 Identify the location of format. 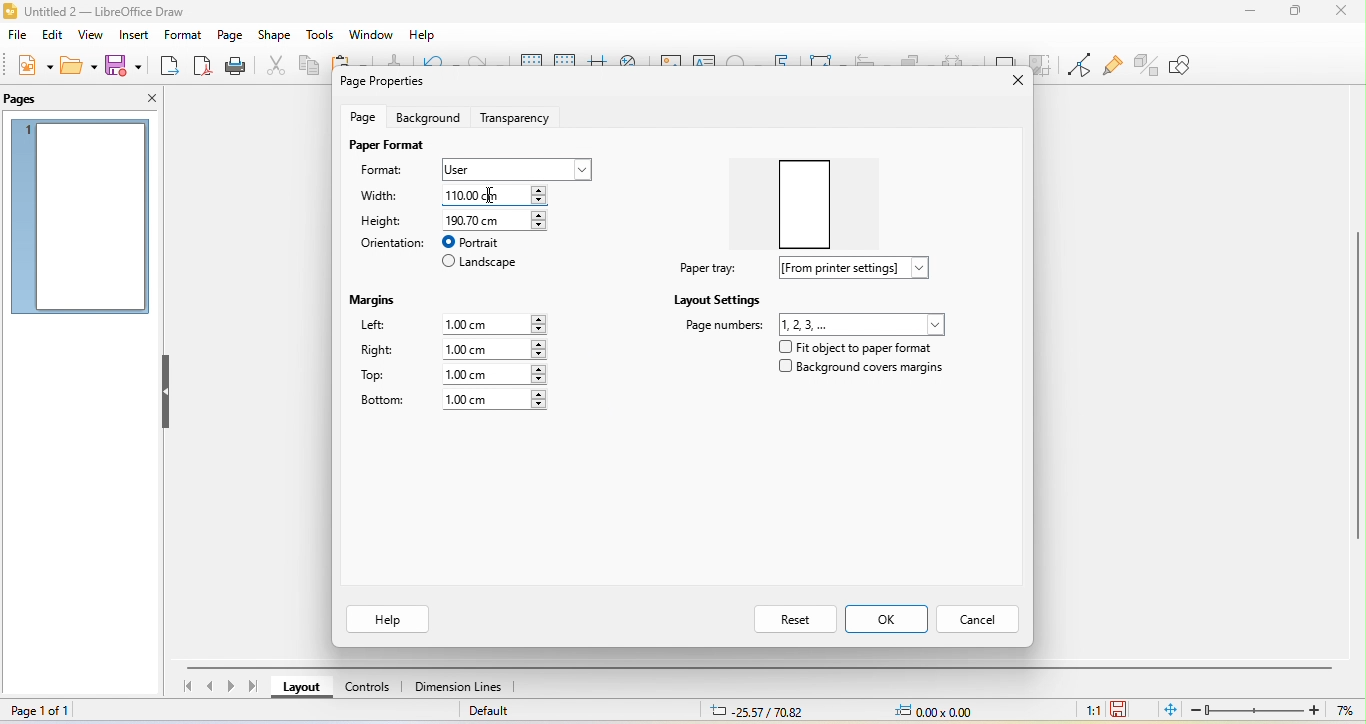
(391, 172).